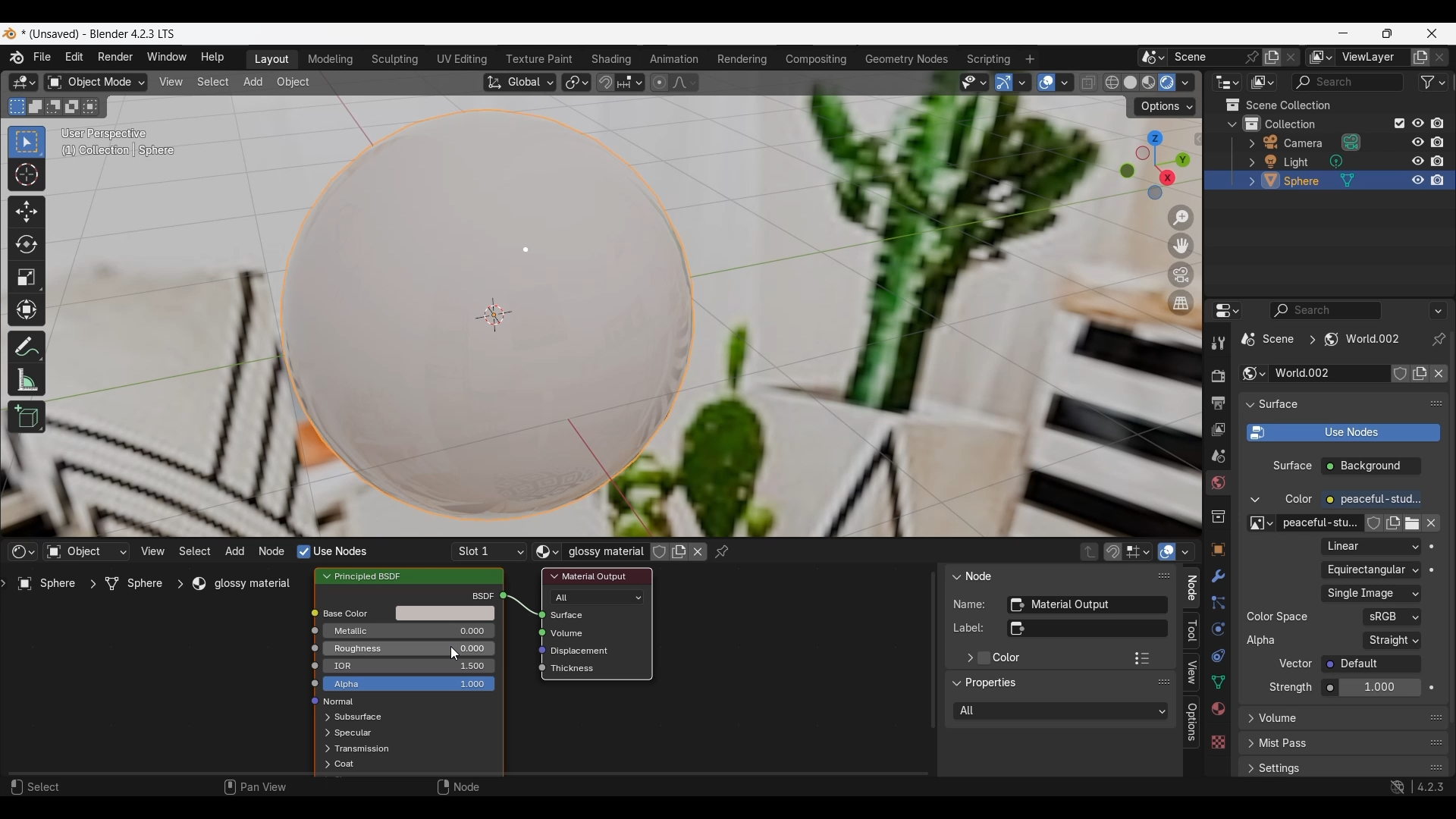  Describe the element at coordinates (1046, 83) in the screenshot. I see `Show overlay` at that location.